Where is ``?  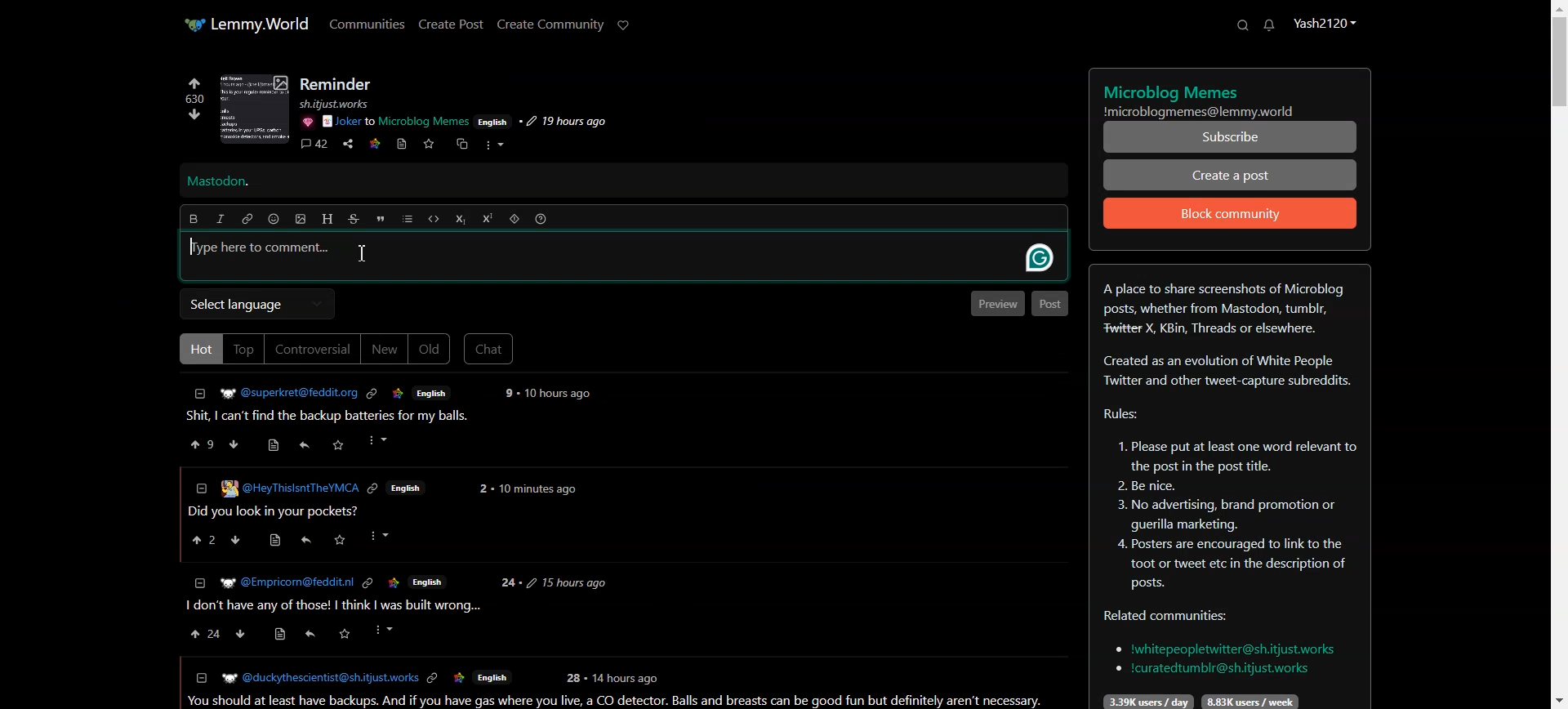  is located at coordinates (380, 441).